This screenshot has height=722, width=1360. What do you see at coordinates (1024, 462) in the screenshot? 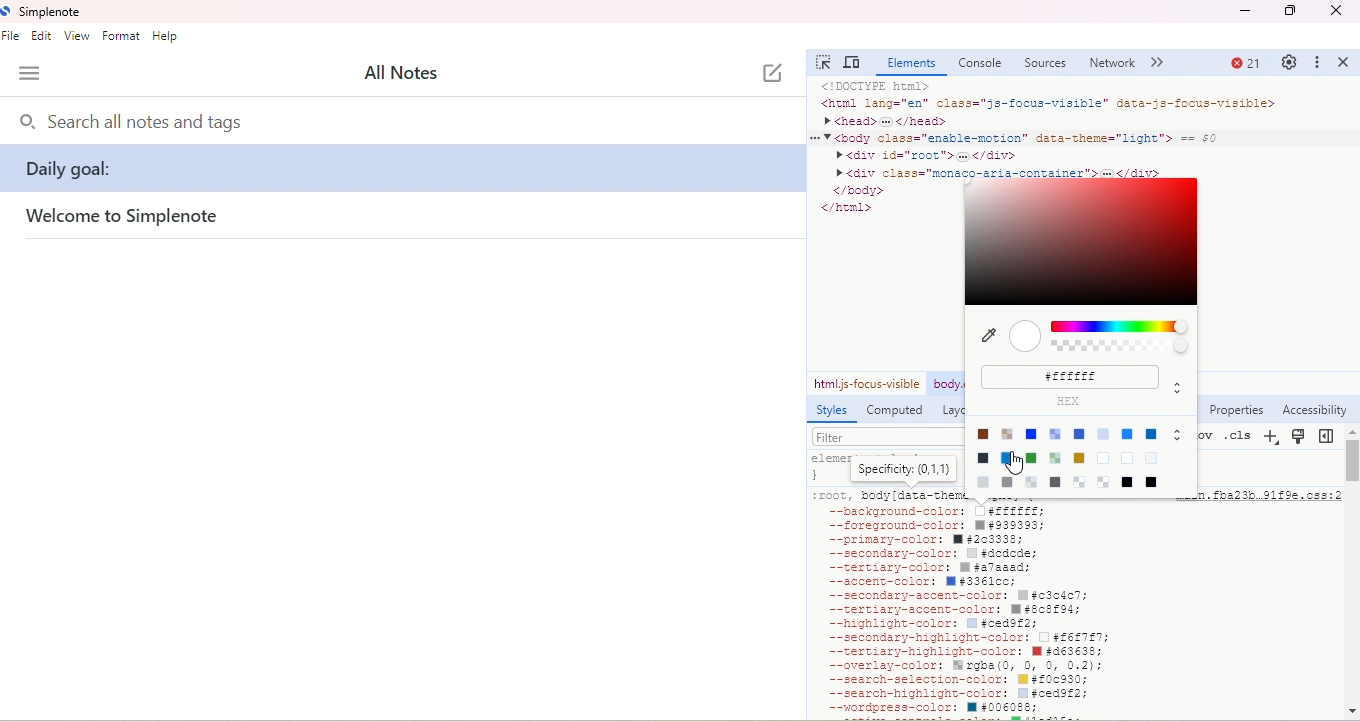
I see `cursor movement` at bounding box center [1024, 462].